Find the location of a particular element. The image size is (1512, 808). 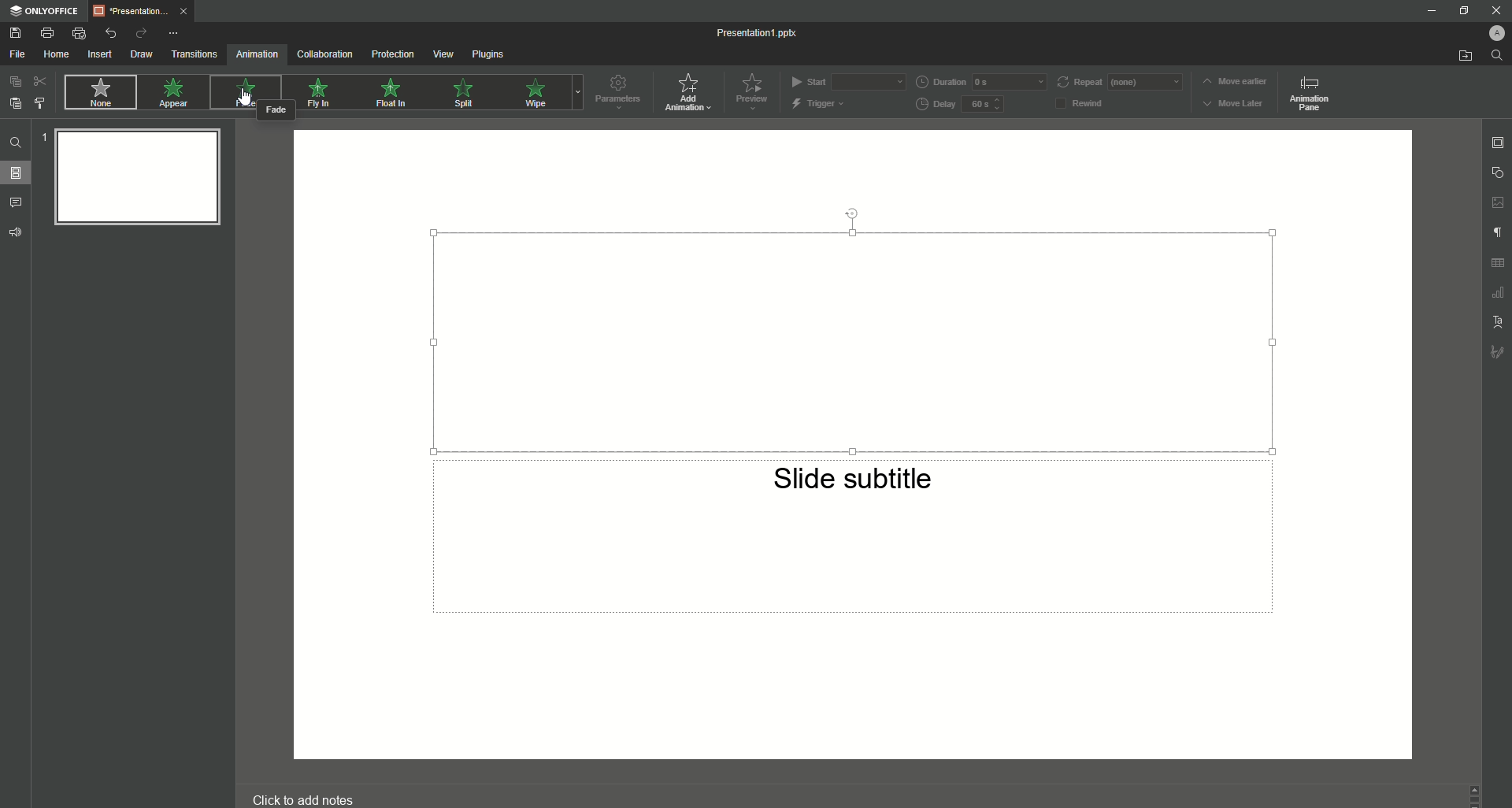

Quick Print is located at coordinates (78, 33).